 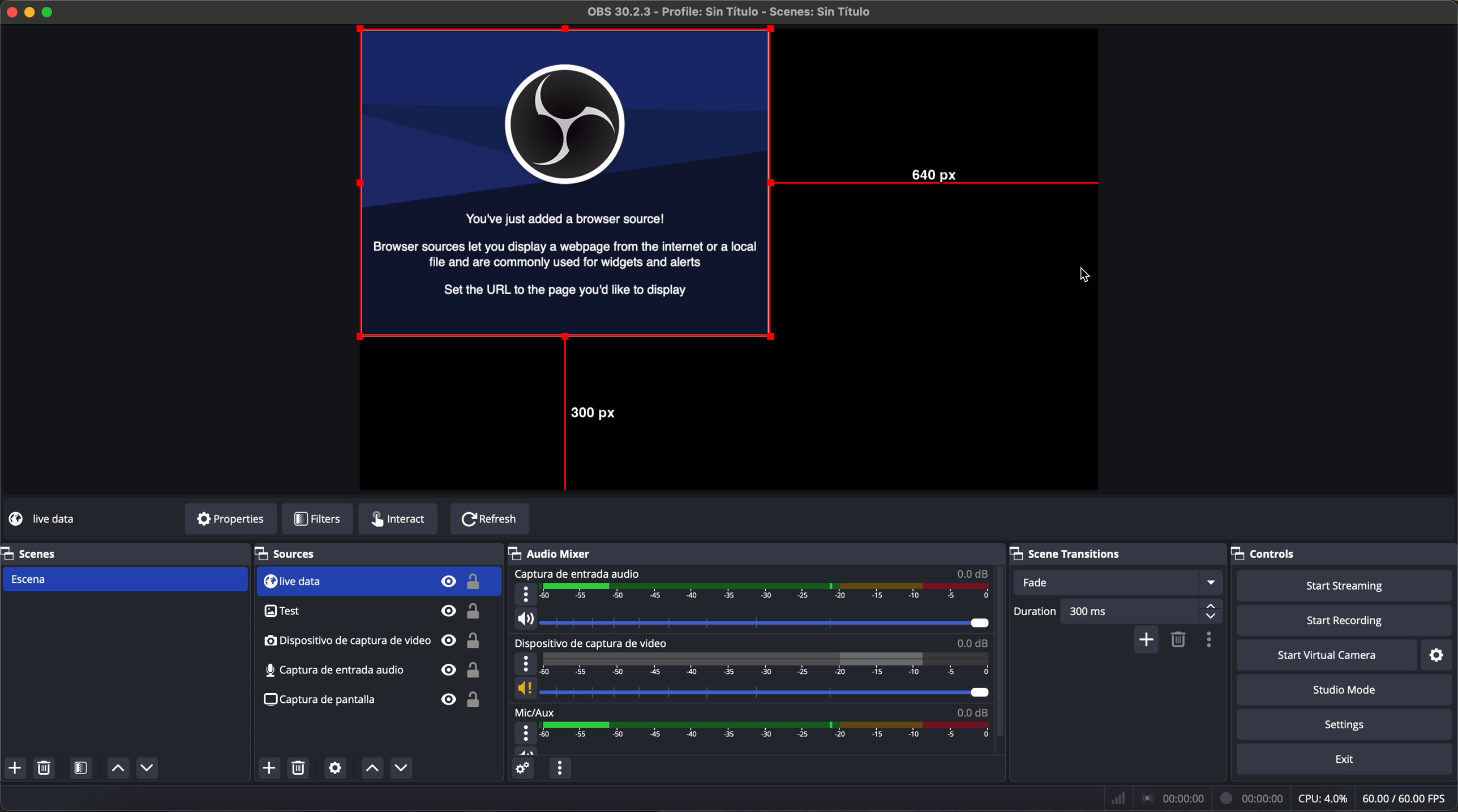 I want to click on pointer, so click(x=1084, y=276).